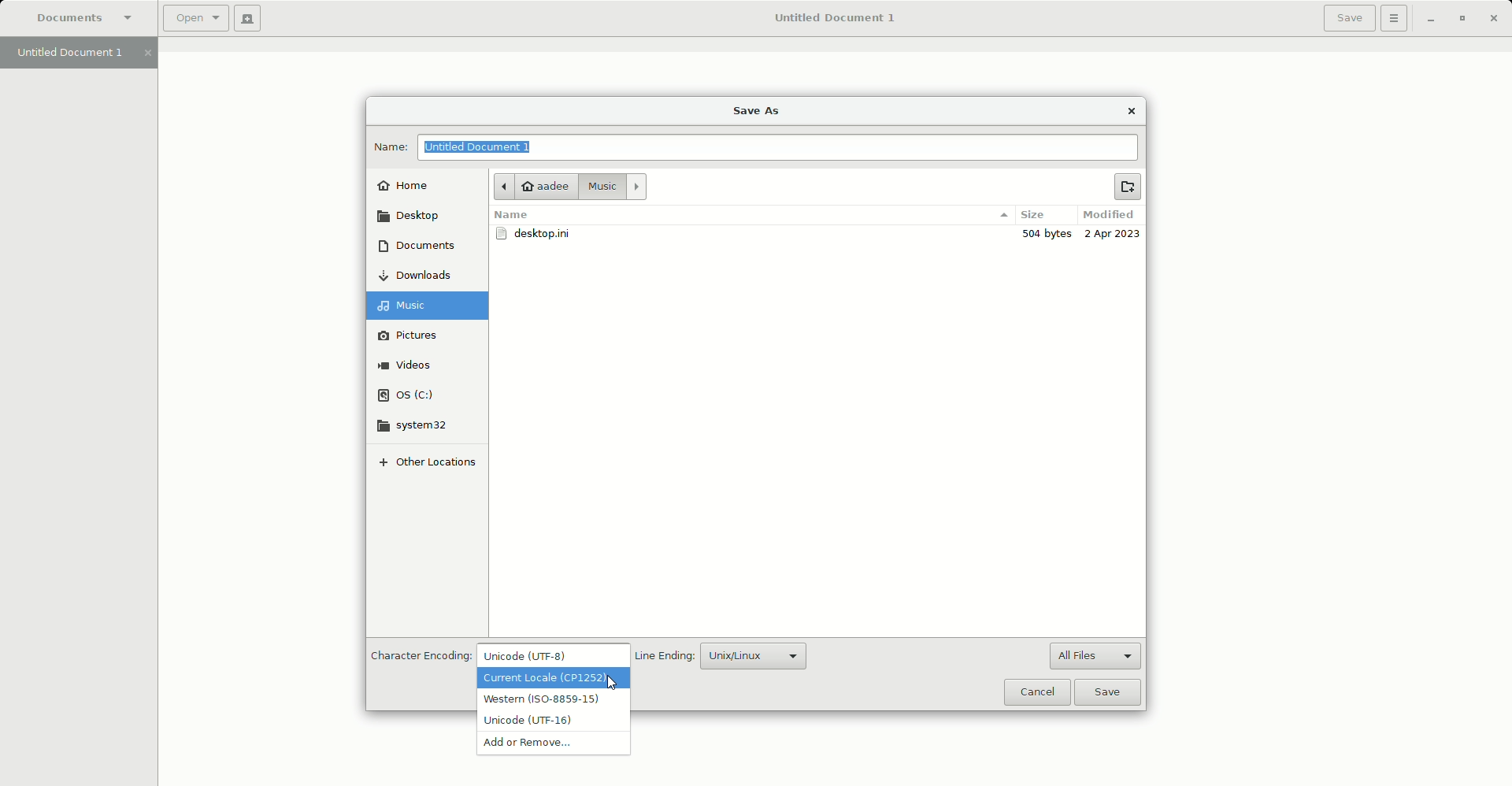 The image size is (1512, 786). Describe the element at coordinates (1430, 19) in the screenshot. I see `Minimize` at that location.